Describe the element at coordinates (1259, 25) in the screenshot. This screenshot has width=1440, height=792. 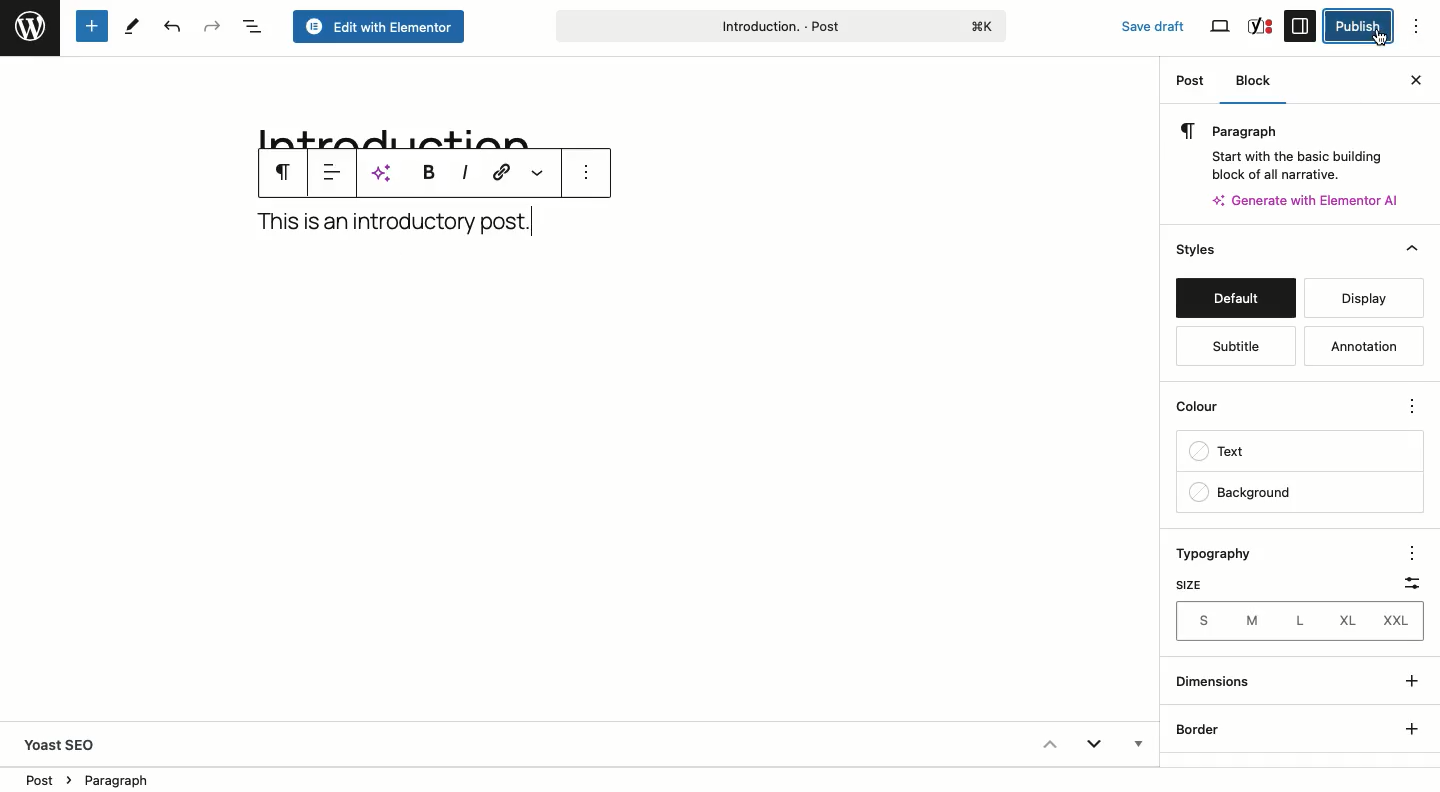
I see `Yoast` at that location.